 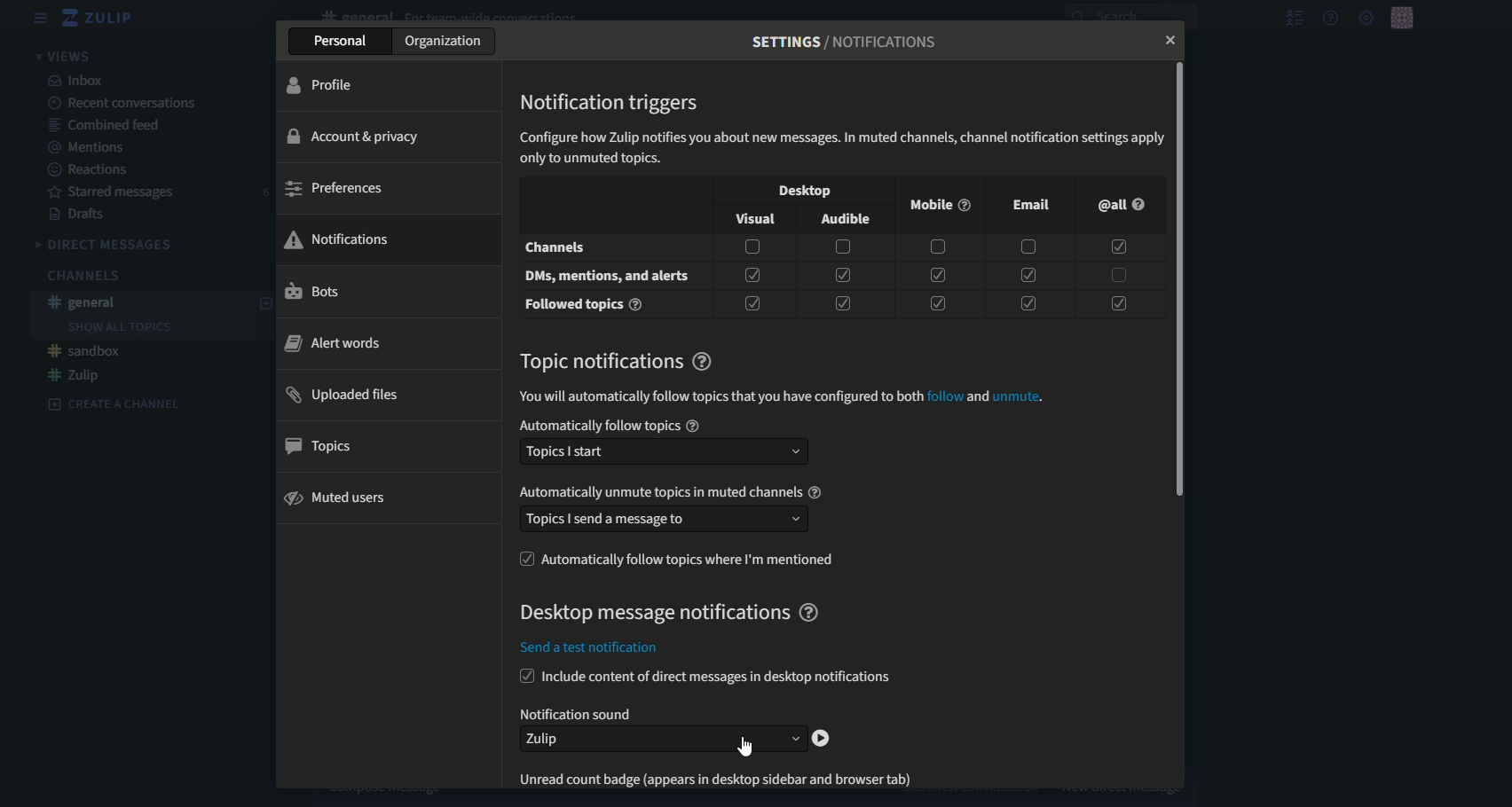 I want to click on Starred messages, so click(x=114, y=193).